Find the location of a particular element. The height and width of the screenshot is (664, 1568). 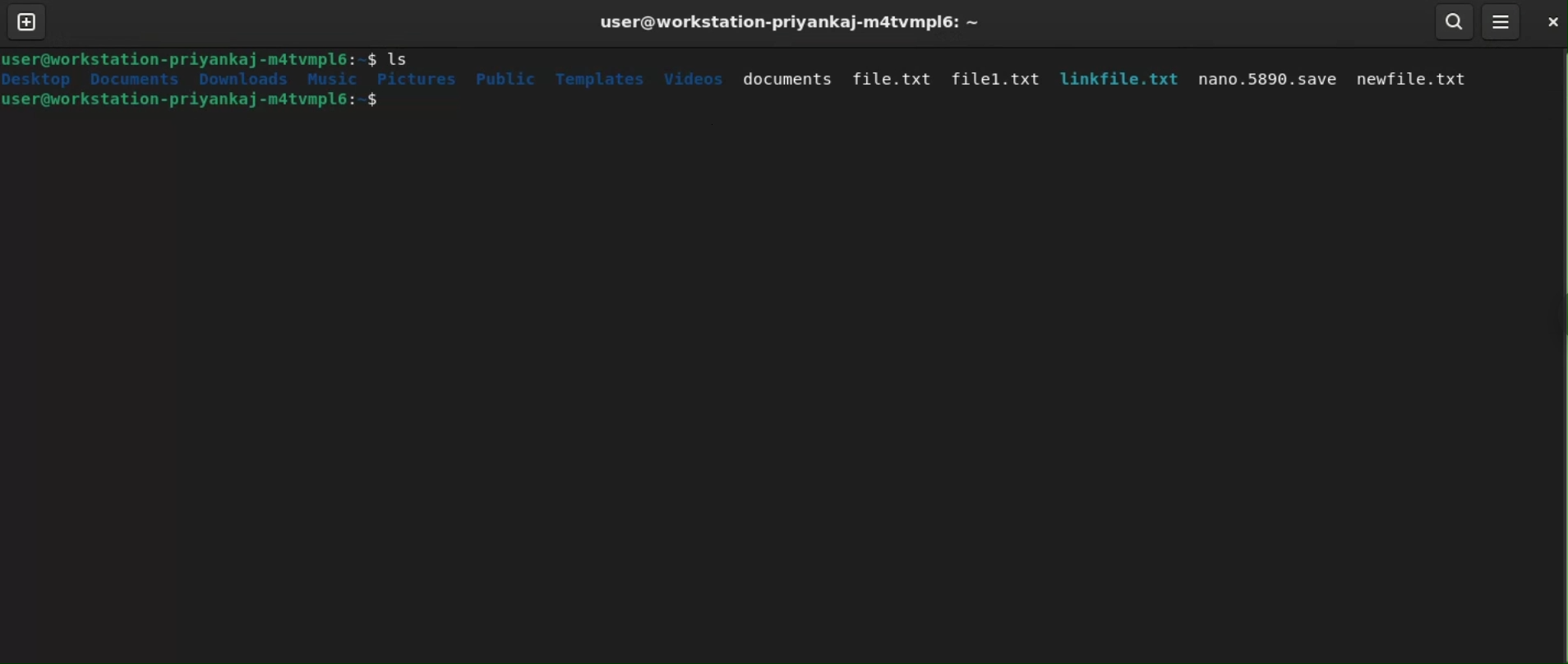

user@workstation-priyankaj-m4tvmpl6: $ is located at coordinates (190, 58).